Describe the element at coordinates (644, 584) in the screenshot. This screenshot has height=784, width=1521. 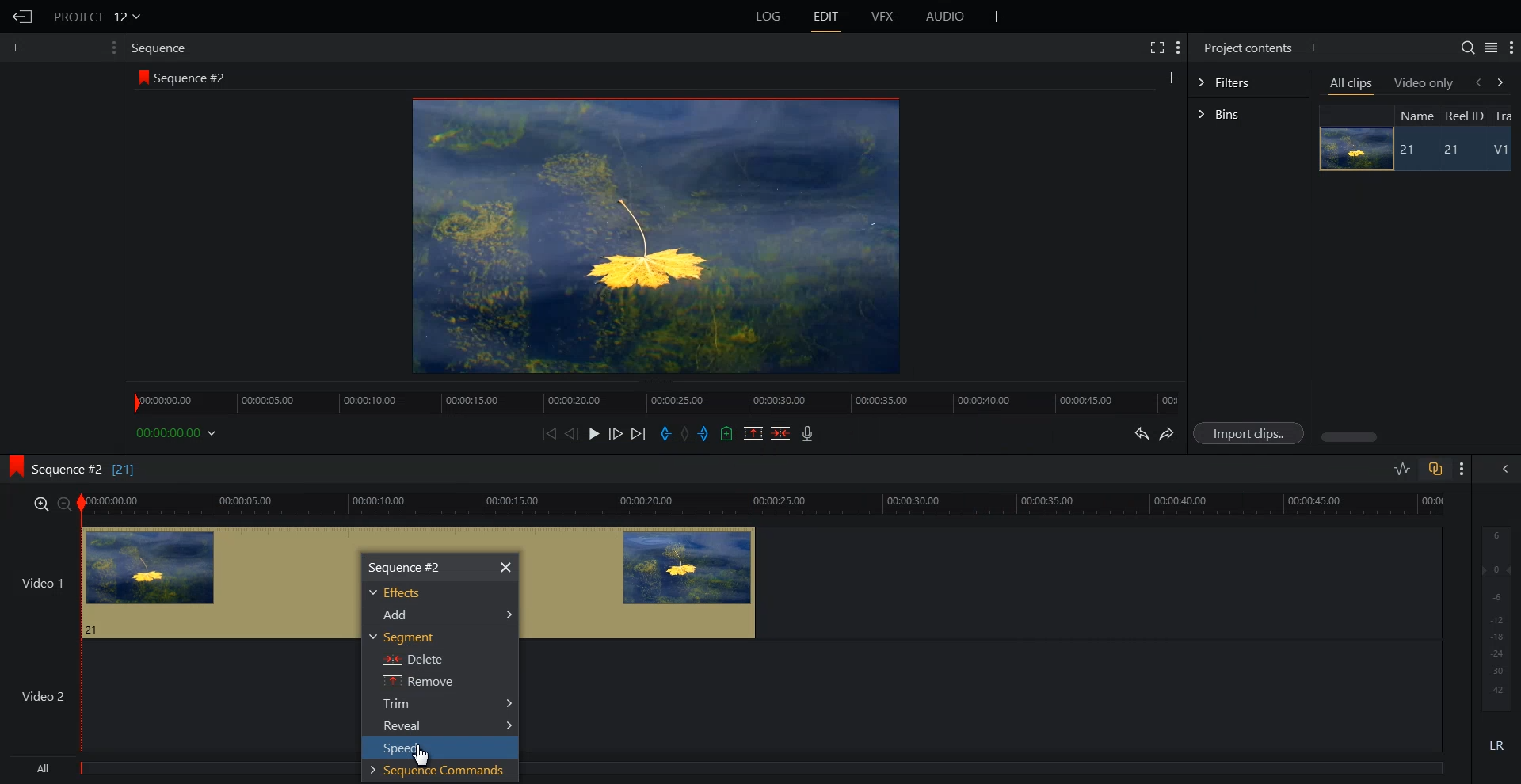
I see `video 1` at that location.